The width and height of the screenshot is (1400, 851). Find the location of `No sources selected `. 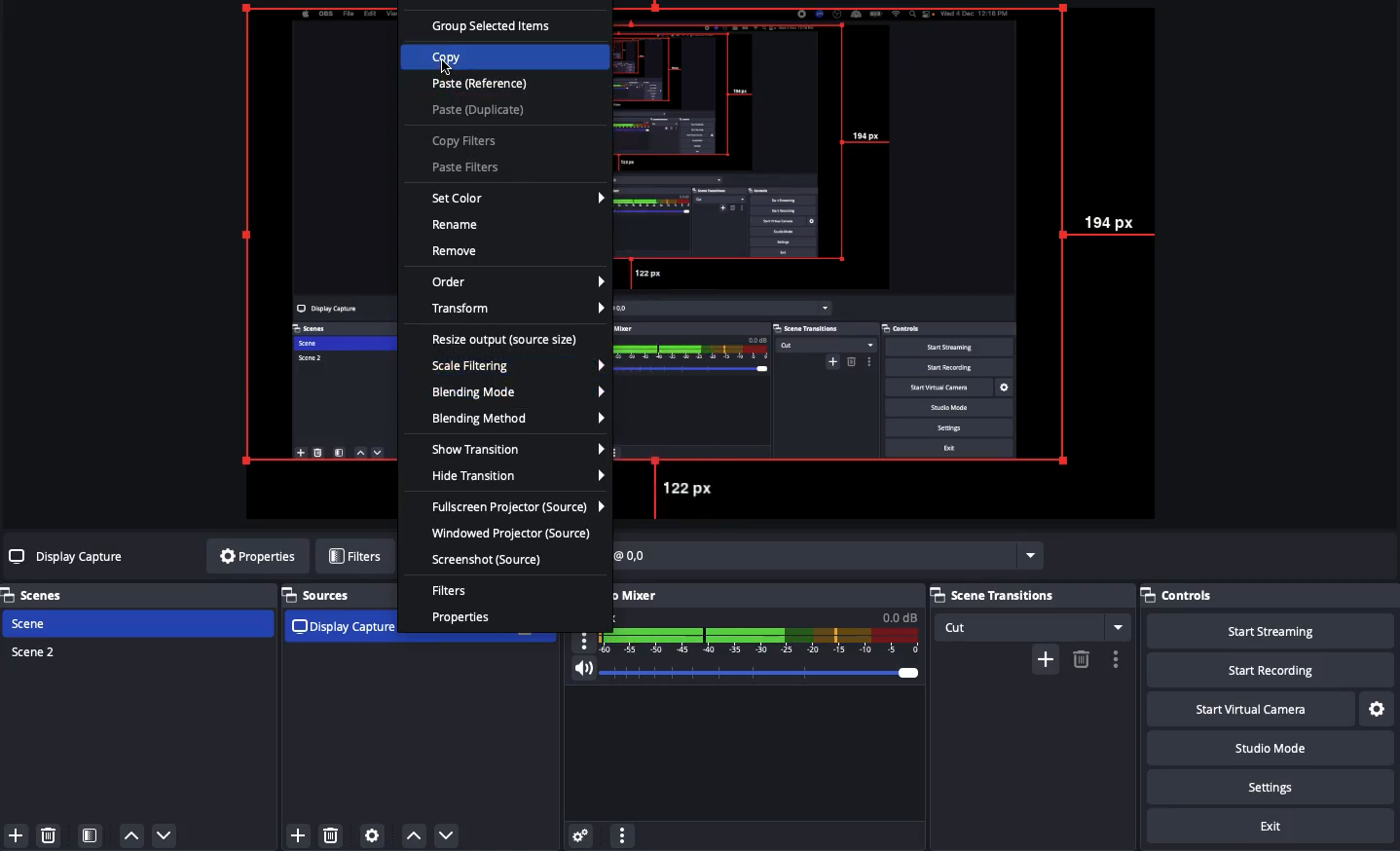

No sources selected  is located at coordinates (69, 558).